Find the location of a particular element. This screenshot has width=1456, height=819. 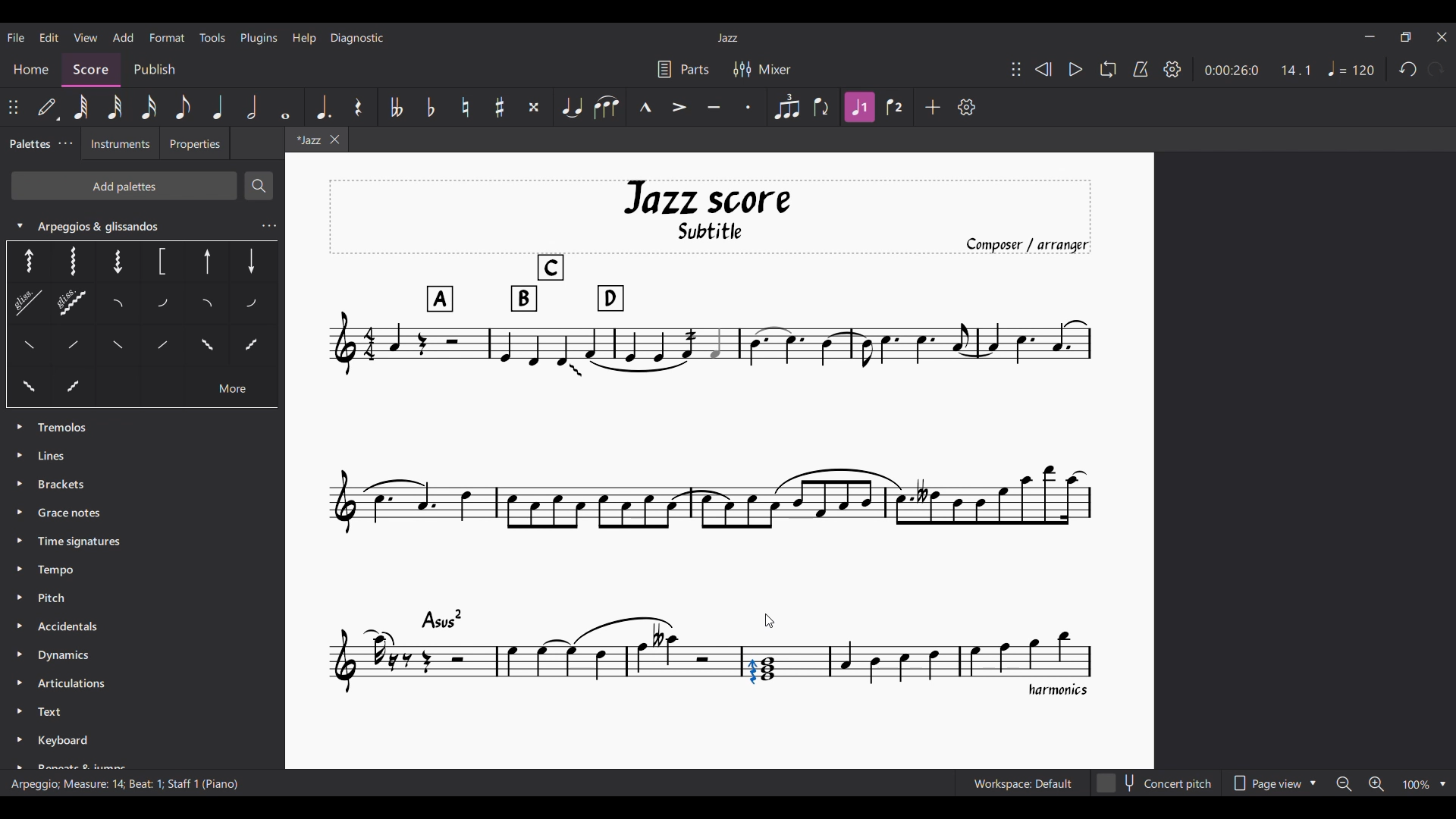

Instruments is located at coordinates (121, 145).